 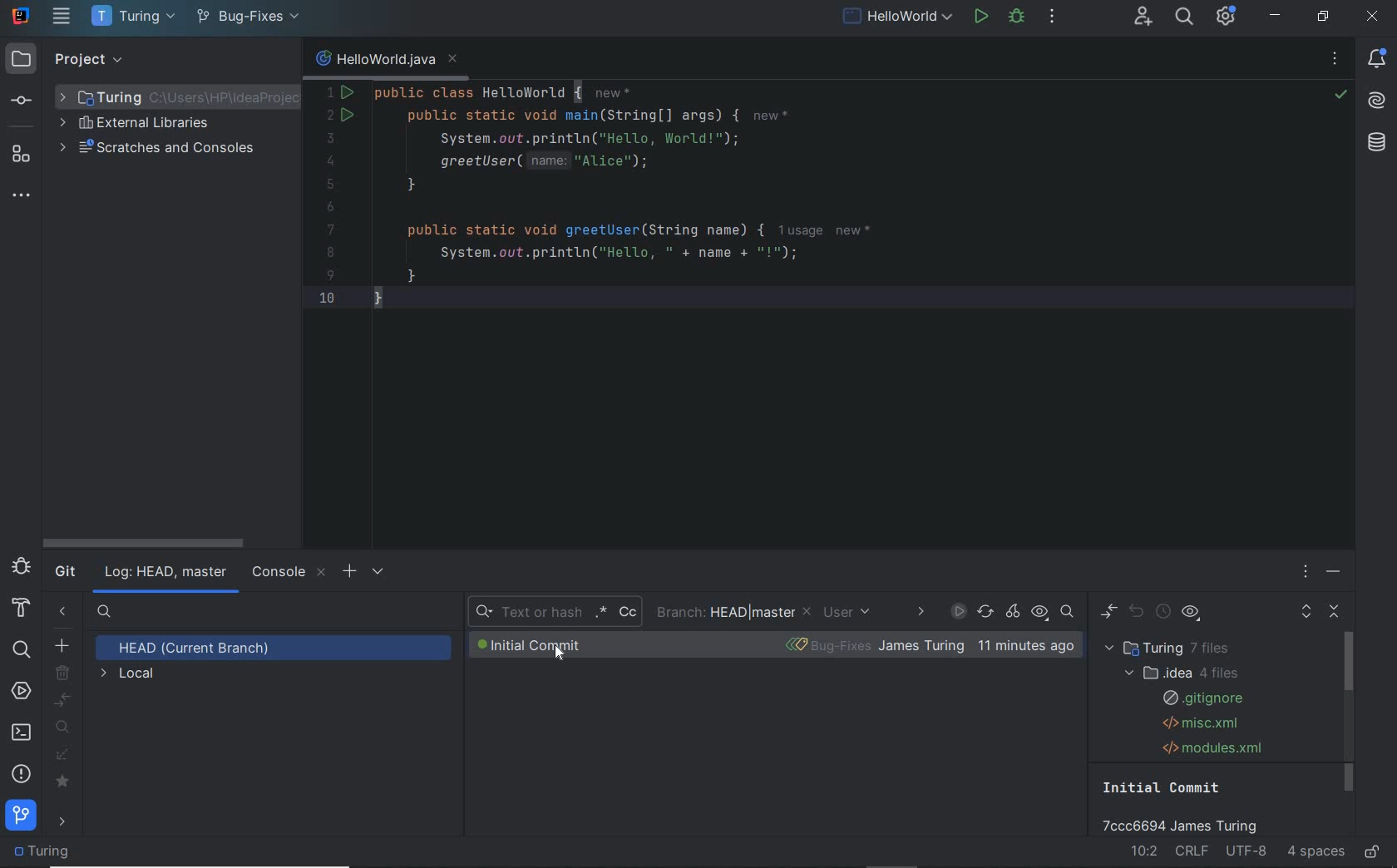 I want to click on .idea 4 files, so click(x=1178, y=673).